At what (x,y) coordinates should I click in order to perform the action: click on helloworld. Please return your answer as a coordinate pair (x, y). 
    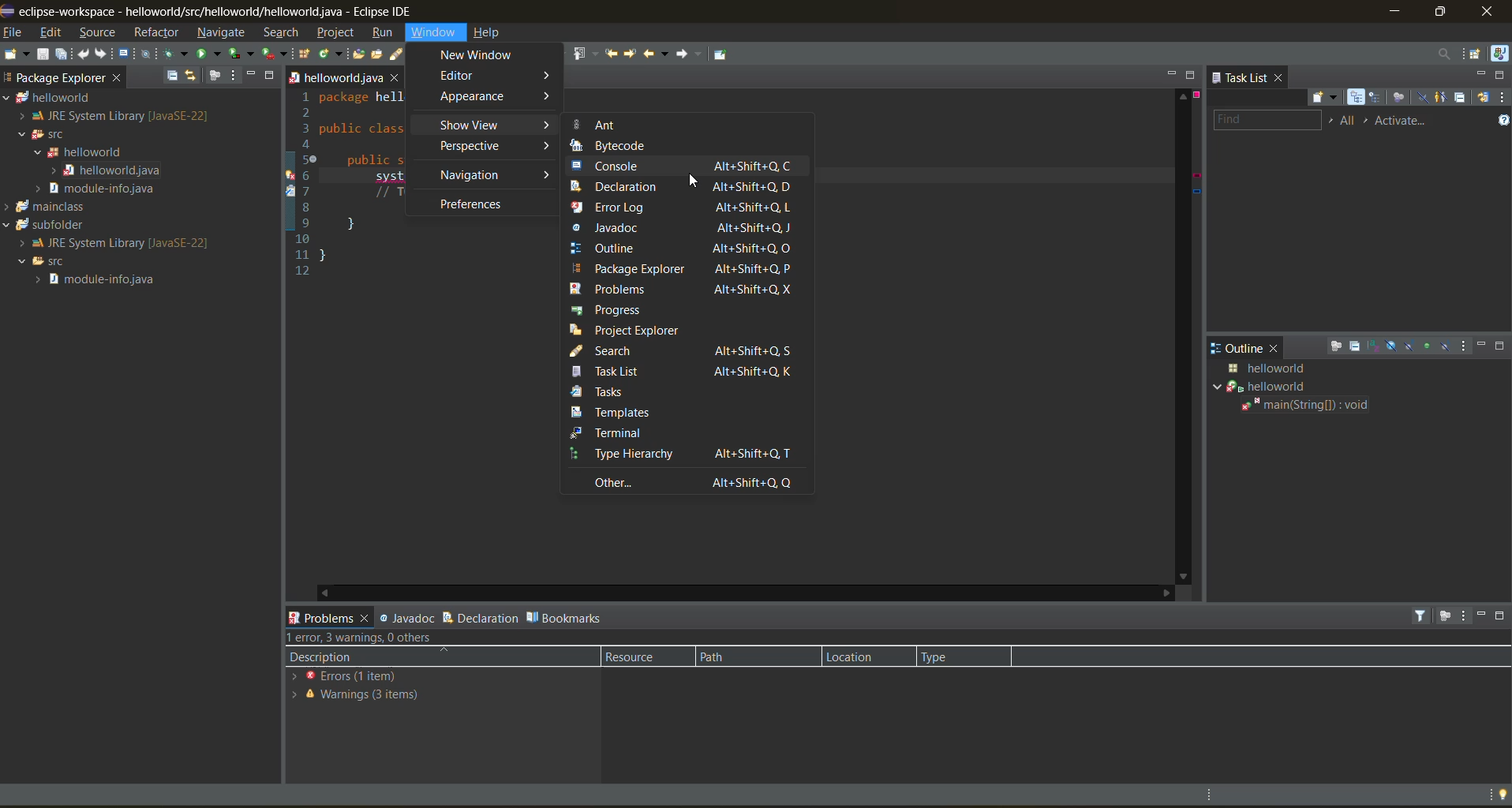
    Looking at the image, I should click on (84, 100).